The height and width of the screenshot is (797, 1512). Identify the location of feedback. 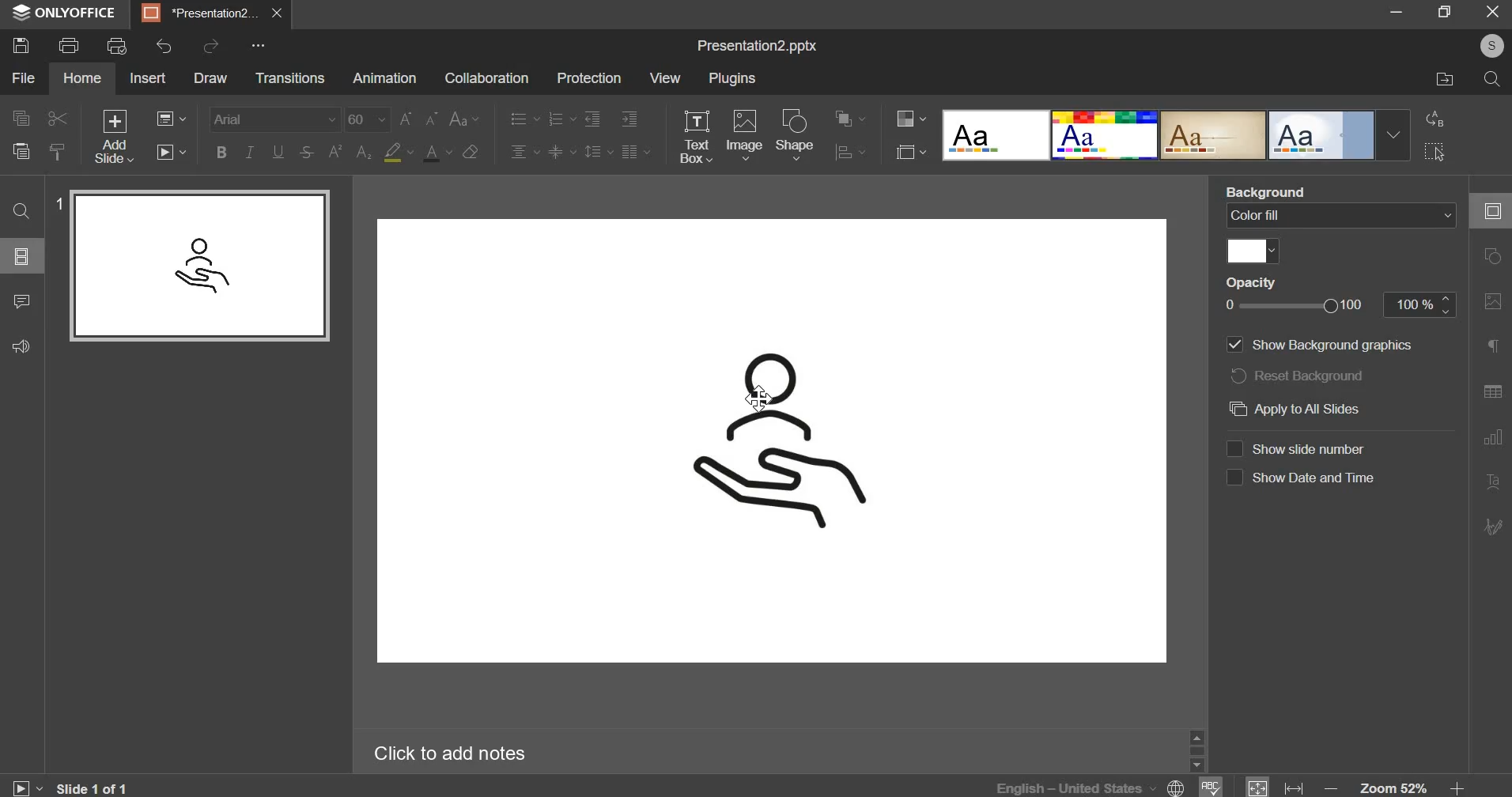
(20, 346).